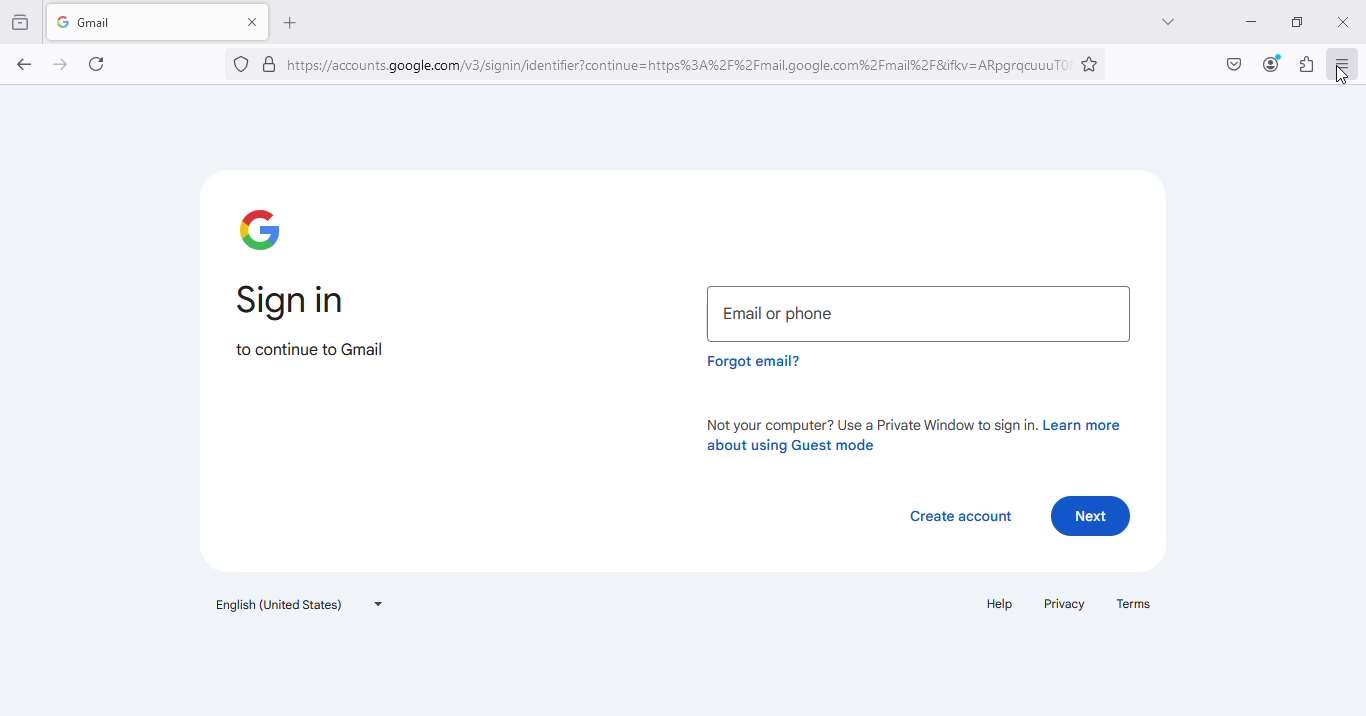 The image size is (1366, 716). Describe the element at coordinates (1169, 22) in the screenshot. I see `list all tabs` at that location.